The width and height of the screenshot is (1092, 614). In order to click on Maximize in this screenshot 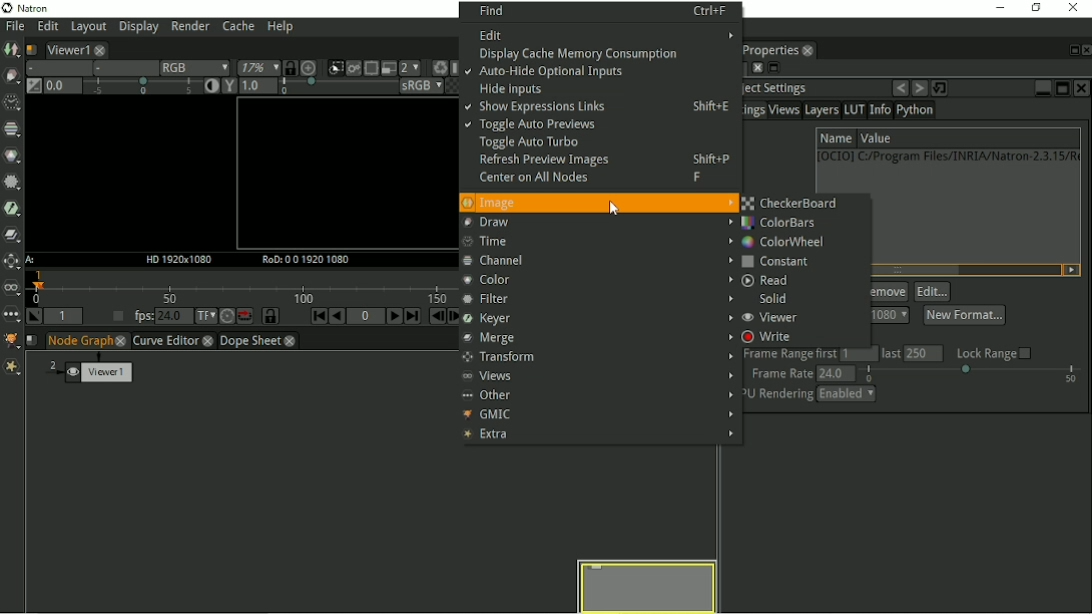, I will do `click(1062, 88)`.